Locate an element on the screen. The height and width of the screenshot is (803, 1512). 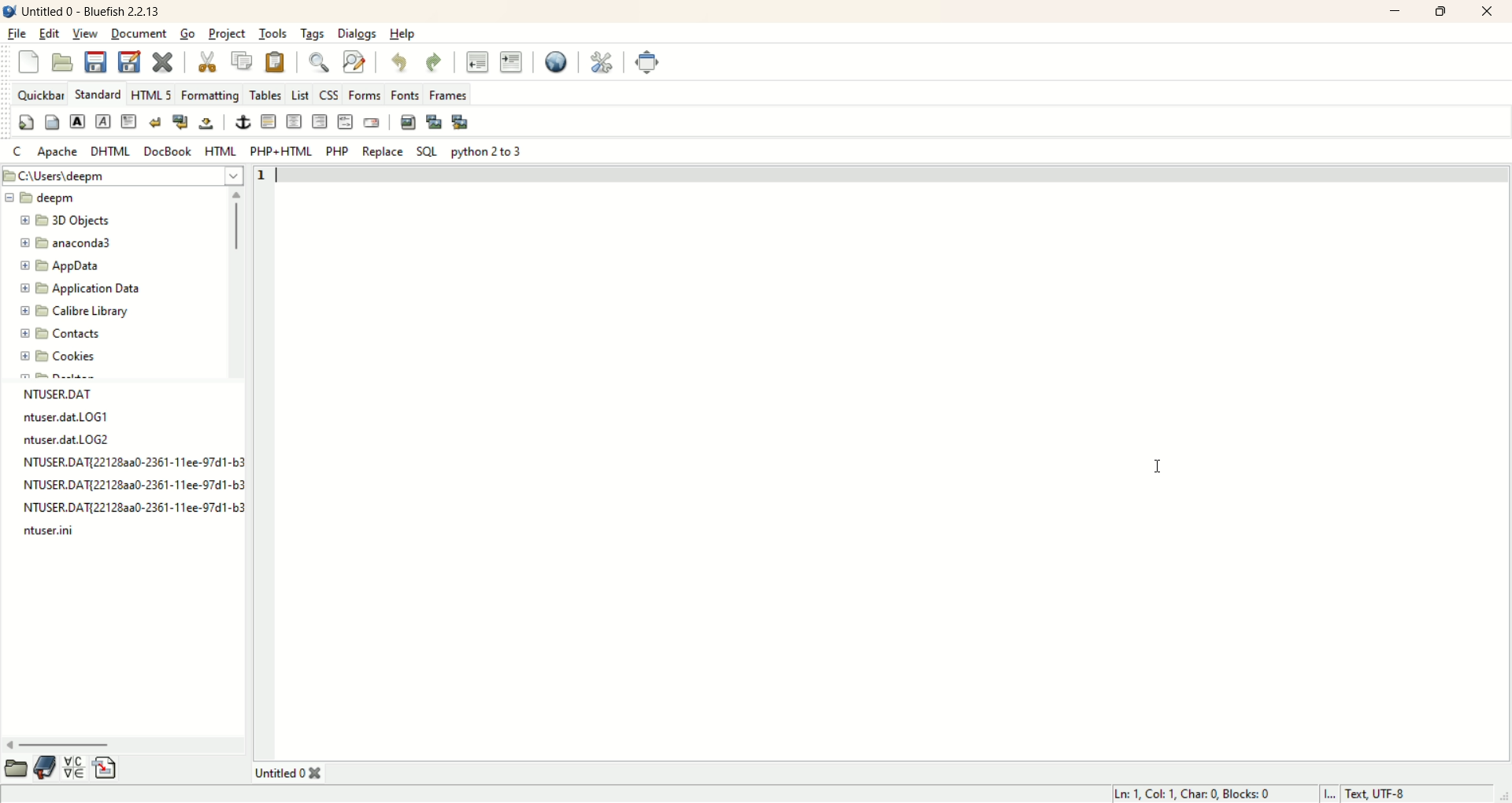
python 2 to 3 is located at coordinates (484, 153).